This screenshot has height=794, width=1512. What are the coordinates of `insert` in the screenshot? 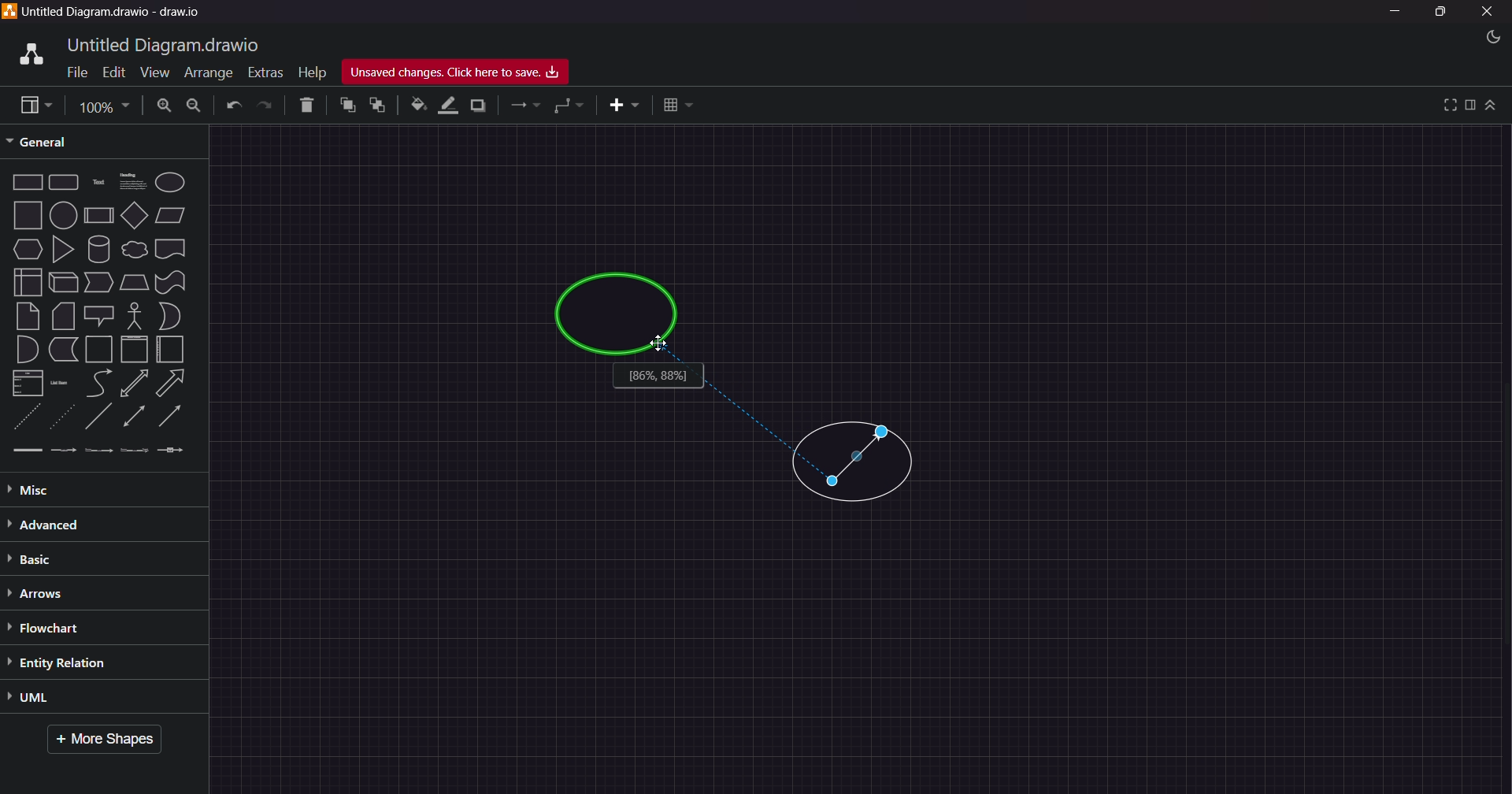 It's located at (618, 106).